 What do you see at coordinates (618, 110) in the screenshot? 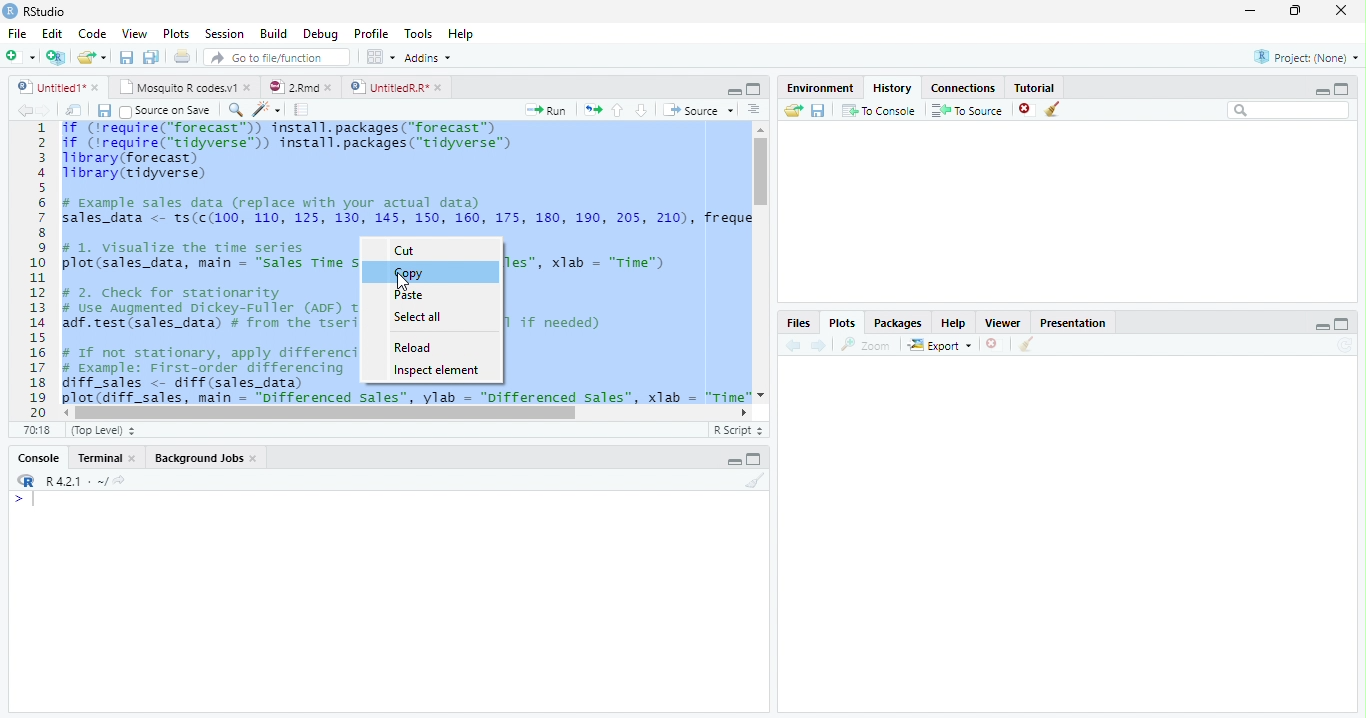
I see `Up` at bounding box center [618, 110].